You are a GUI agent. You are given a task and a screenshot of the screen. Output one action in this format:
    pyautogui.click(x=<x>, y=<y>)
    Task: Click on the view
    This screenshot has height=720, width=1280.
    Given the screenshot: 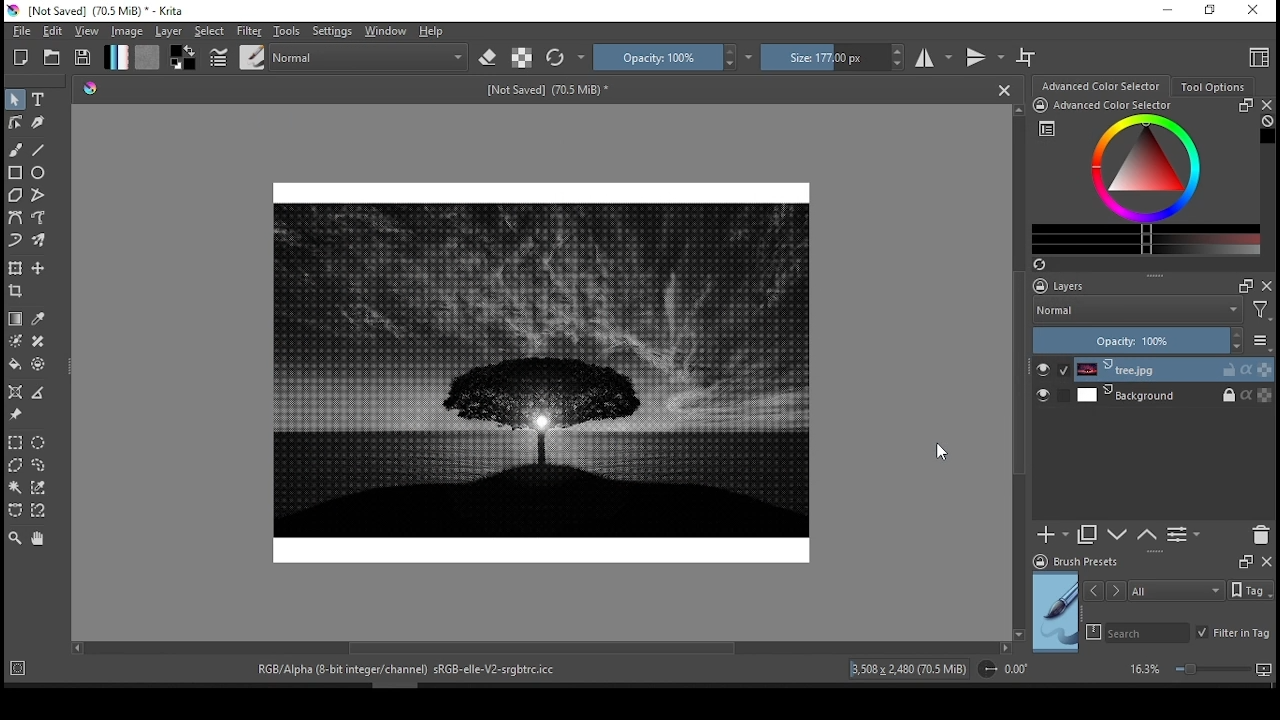 What is the action you would take?
    pyautogui.click(x=87, y=31)
    